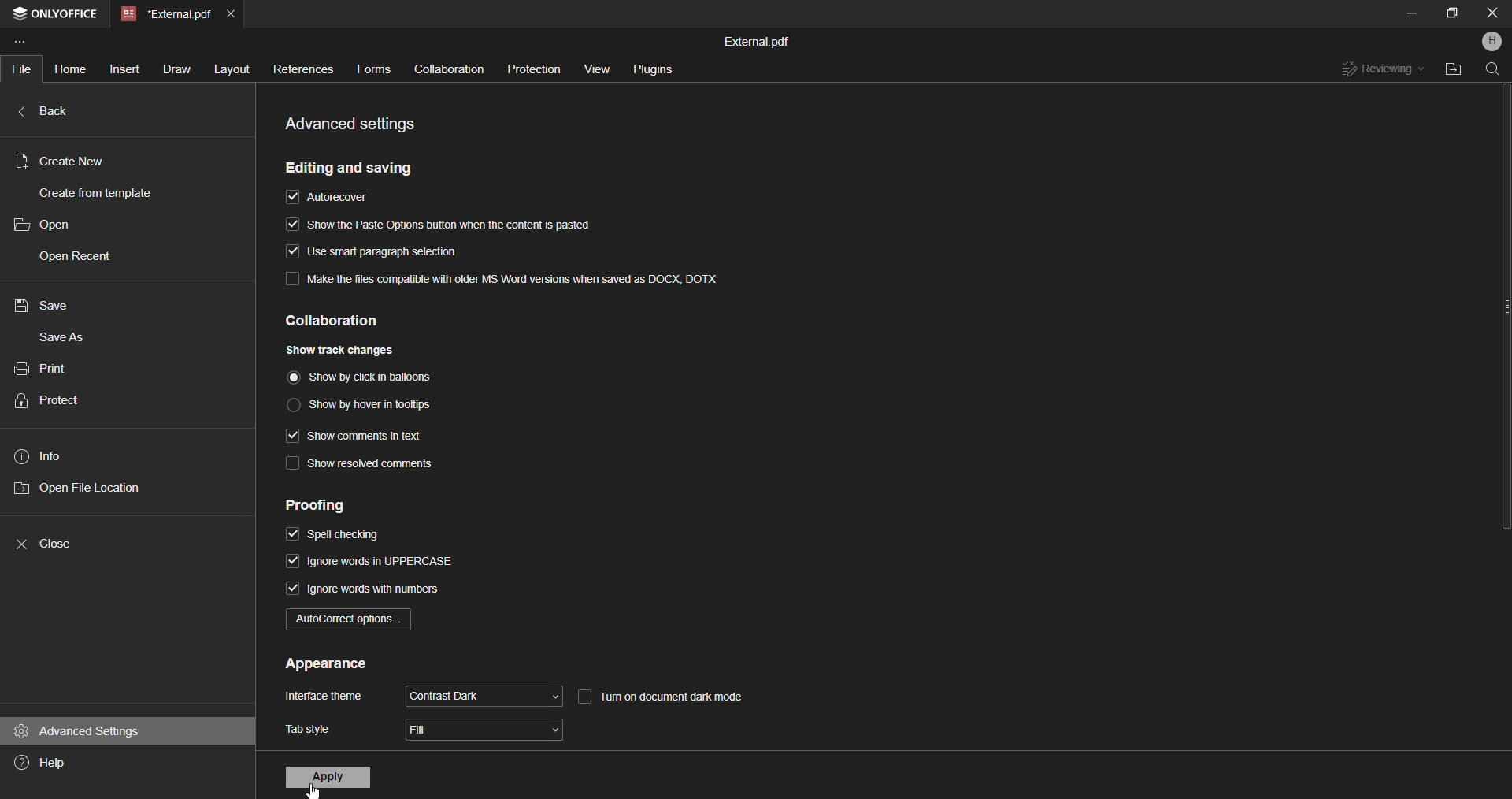 The image size is (1512, 799). What do you see at coordinates (105, 192) in the screenshot?
I see `create from template` at bounding box center [105, 192].